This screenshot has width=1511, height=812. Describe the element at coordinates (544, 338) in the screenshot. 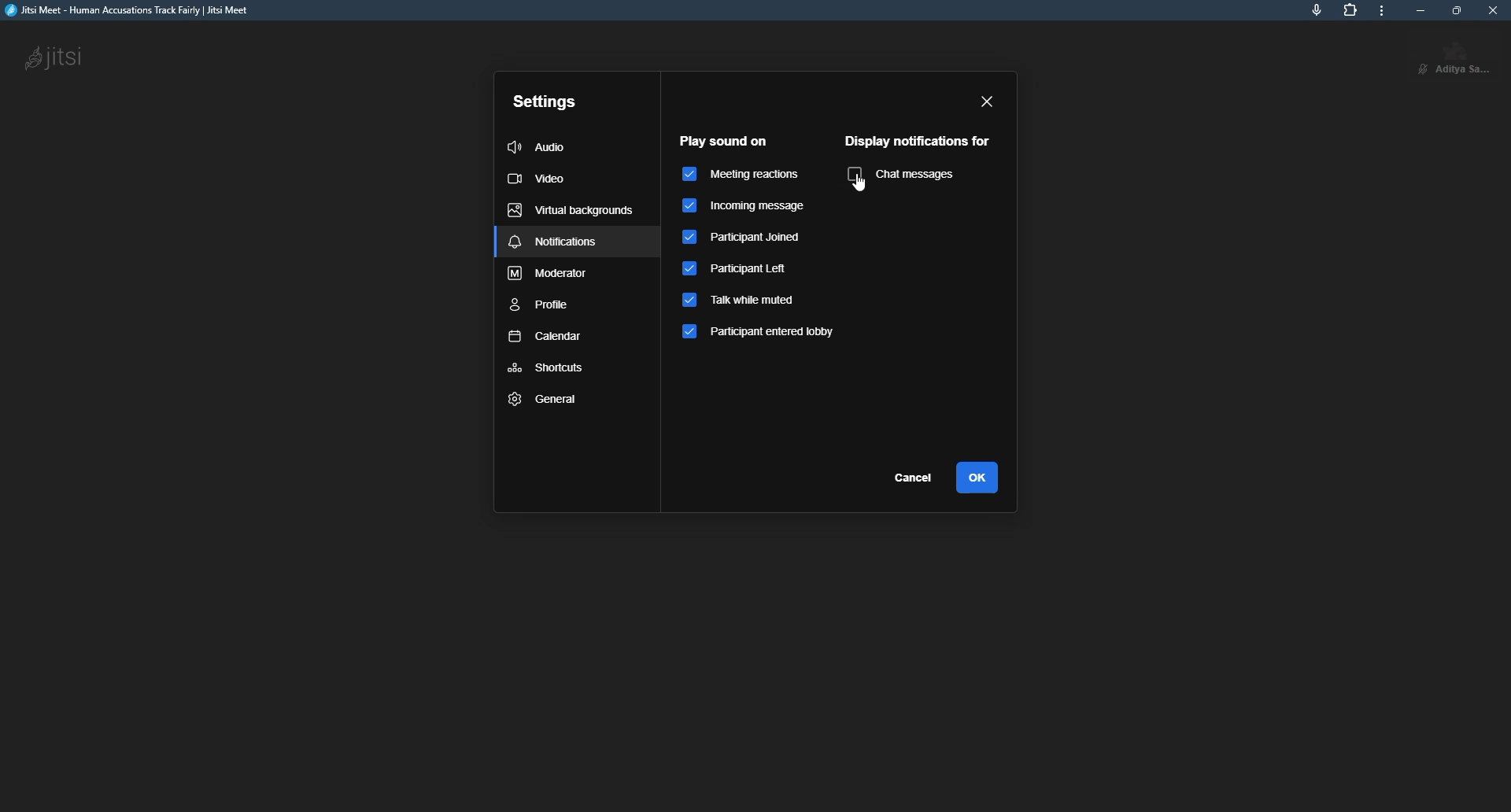

I see `calendar` at that location.